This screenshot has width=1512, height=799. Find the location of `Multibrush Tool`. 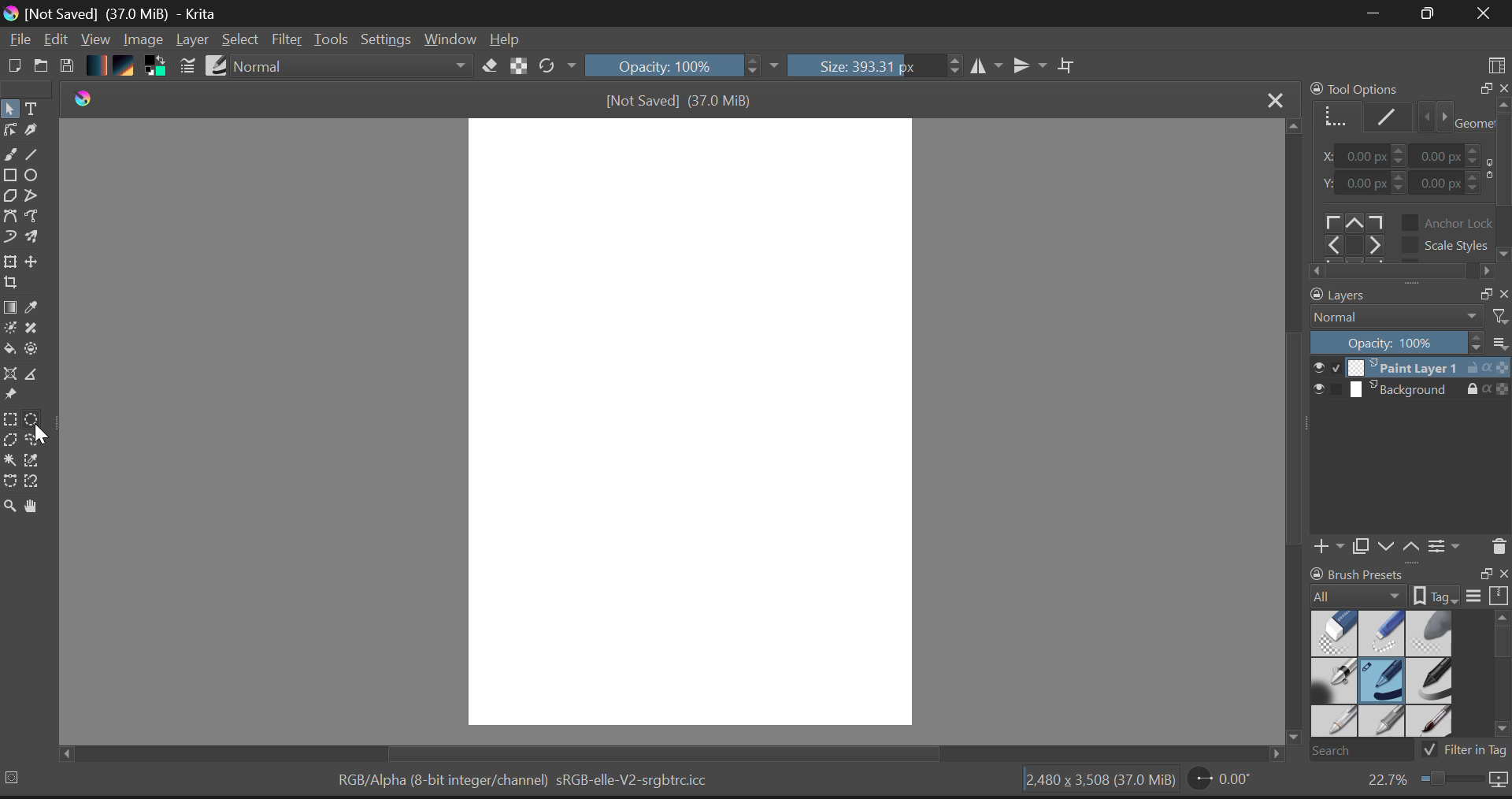

Multibrush Tool is located at coordinates (37, 238).